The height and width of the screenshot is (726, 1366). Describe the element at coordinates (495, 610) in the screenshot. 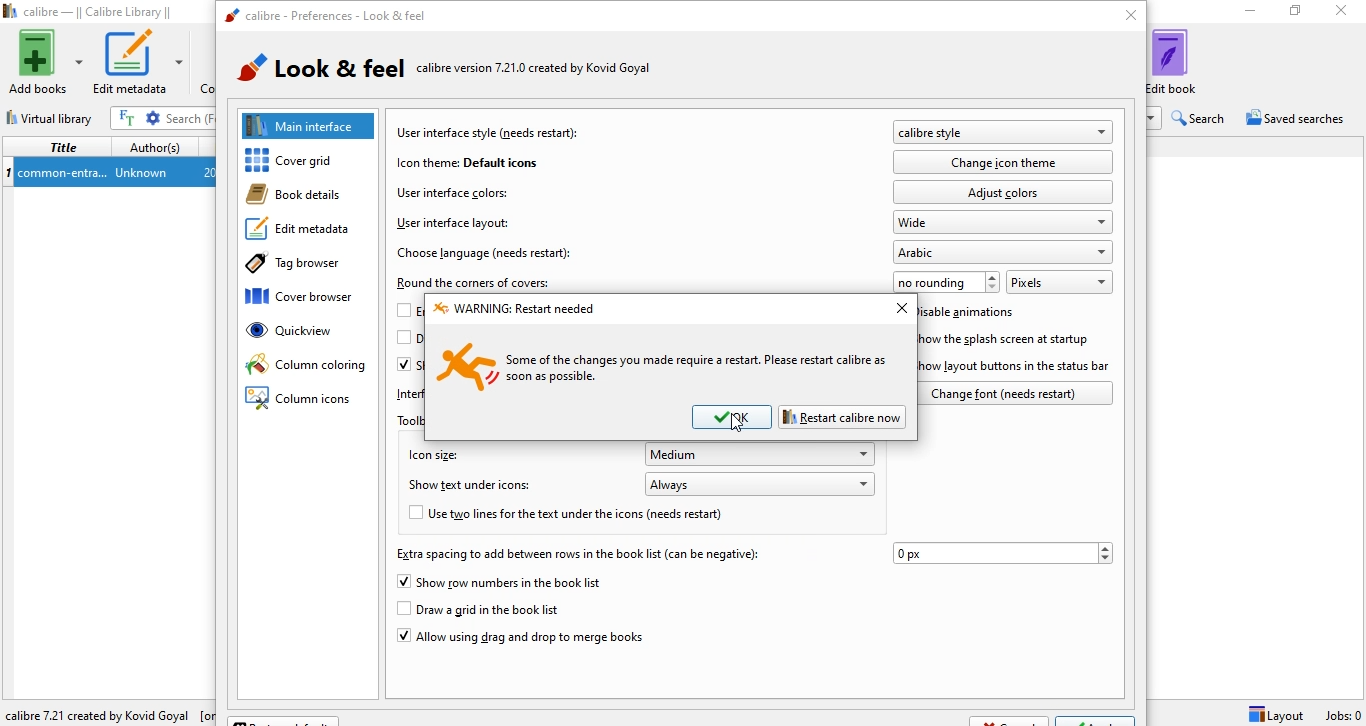

I see `draw a grid in the book list` at that location.